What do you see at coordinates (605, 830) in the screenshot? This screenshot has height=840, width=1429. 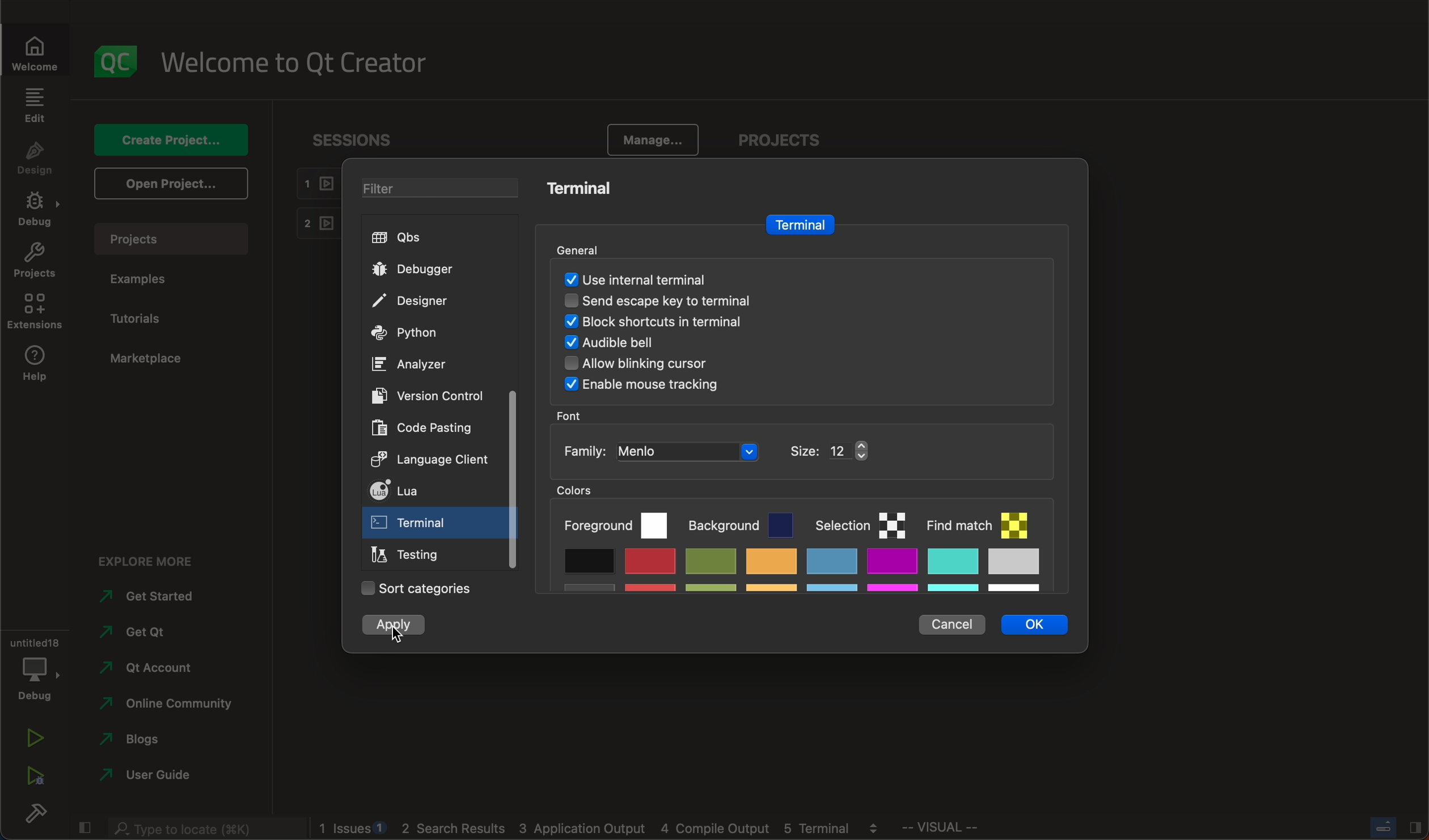 I see `logs` at bounding box center [605, 830].